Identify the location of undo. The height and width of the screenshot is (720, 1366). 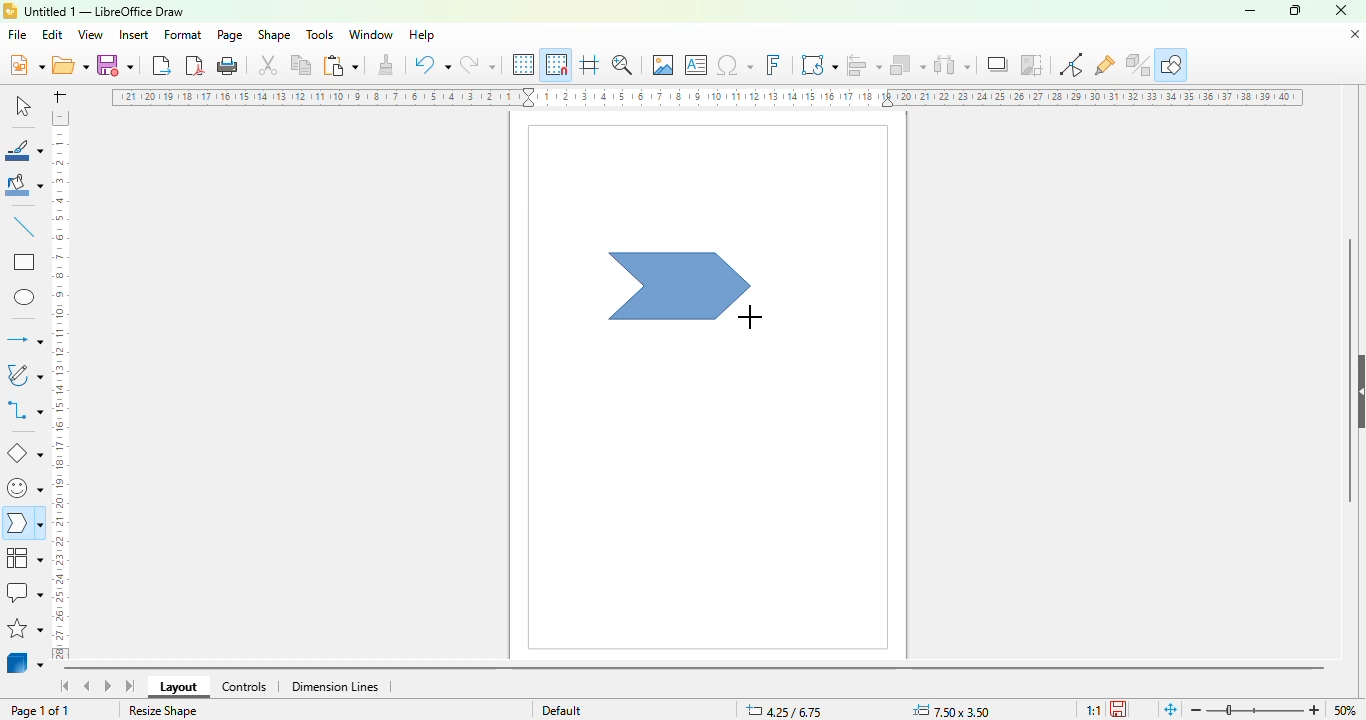
(432, 64).